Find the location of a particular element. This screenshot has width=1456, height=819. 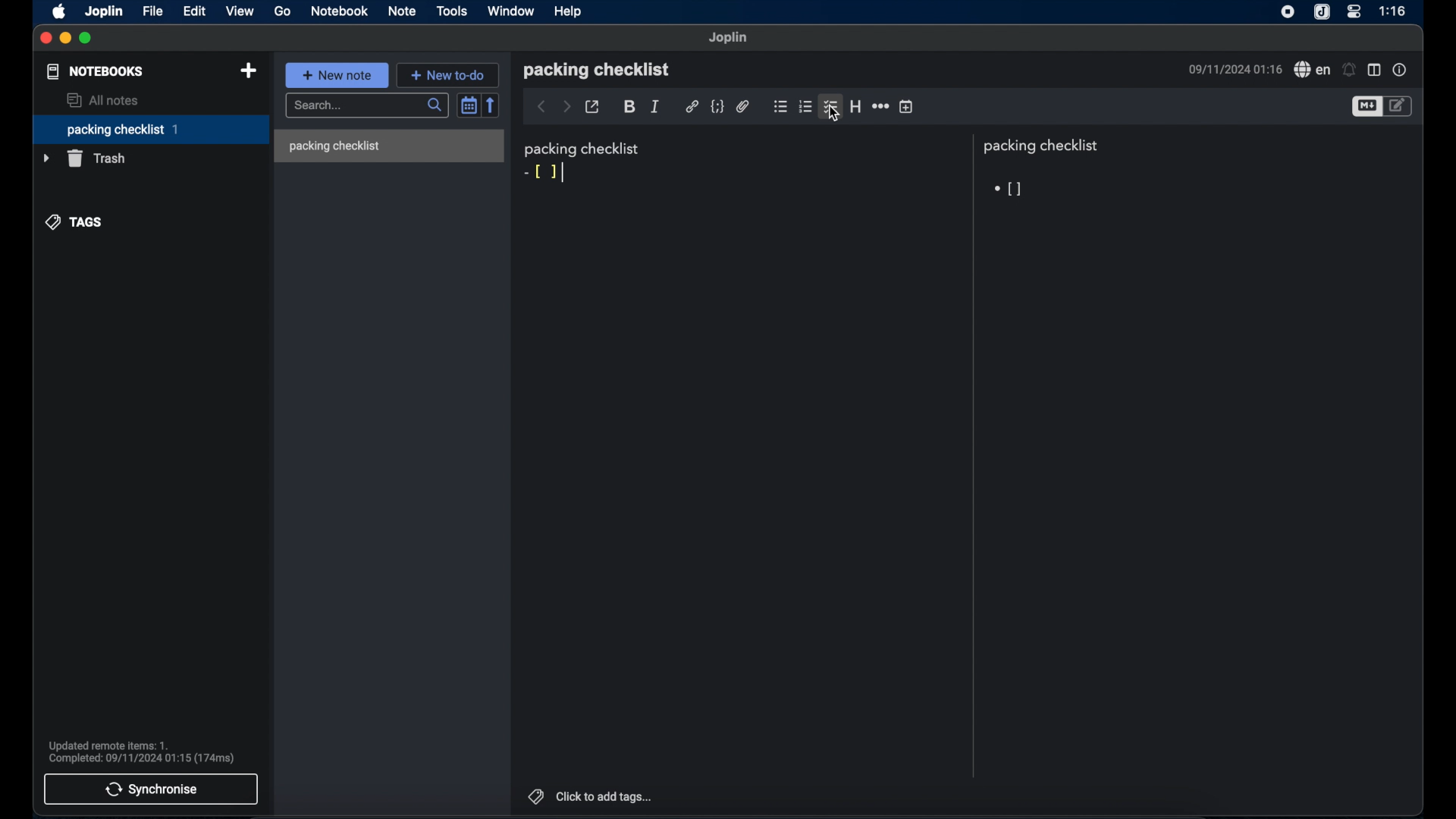

09/11/2024 01:16 is located at coordinates (1232, 70).